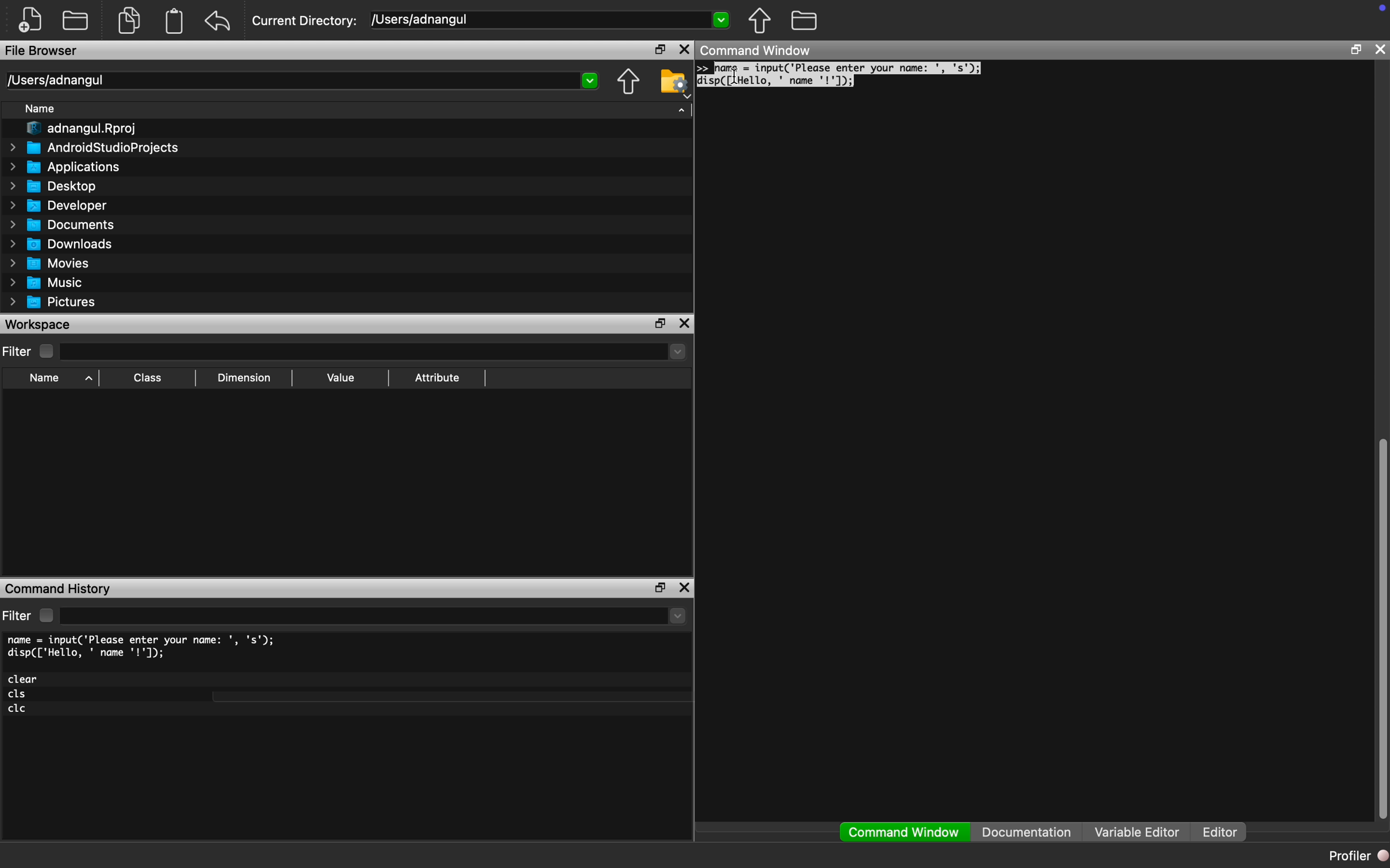 This screenshot has width=1390, height=868. I want to click on close, so click(684, 323).